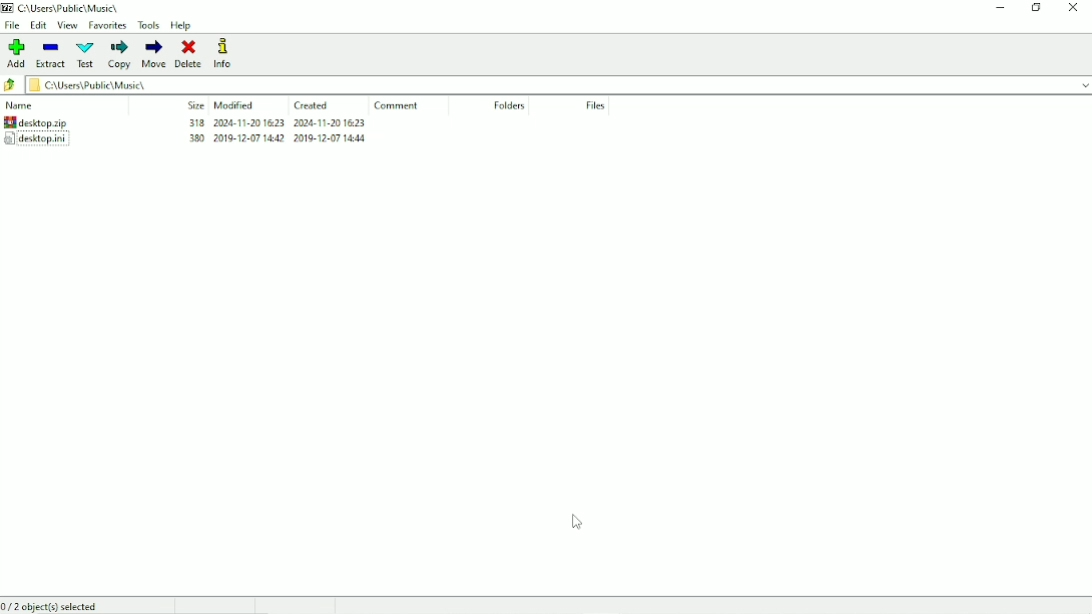 This screenshot has width=1092, height=614. What do you see at coordinates (17, 53) in the screenshot?
I see `Add` at bounding box center [17, 53].